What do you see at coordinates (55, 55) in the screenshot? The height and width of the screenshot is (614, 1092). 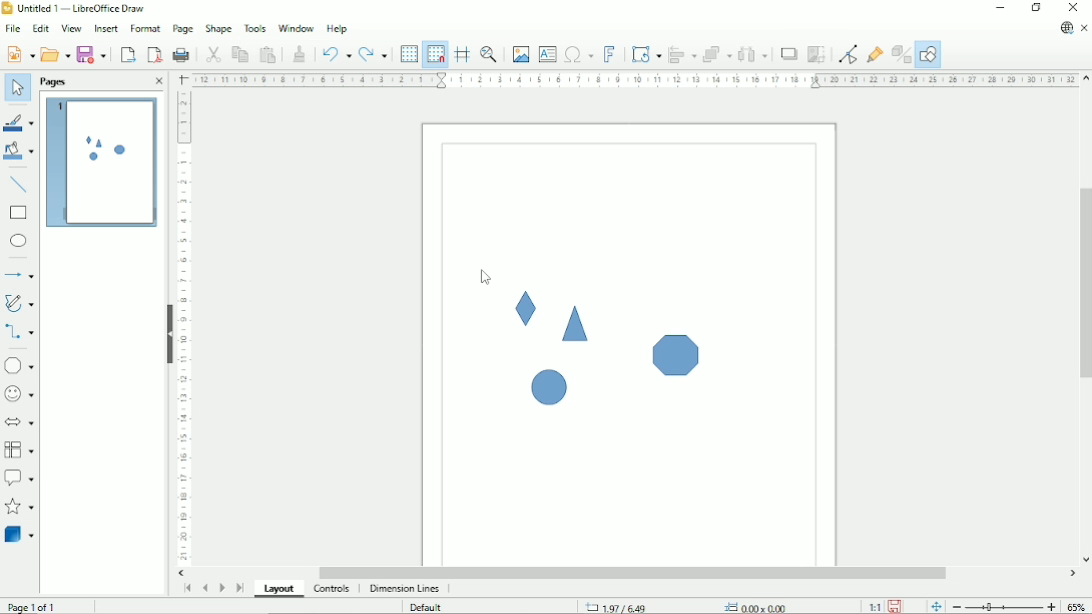 I see `Open ` at bounding box center [55, 55].